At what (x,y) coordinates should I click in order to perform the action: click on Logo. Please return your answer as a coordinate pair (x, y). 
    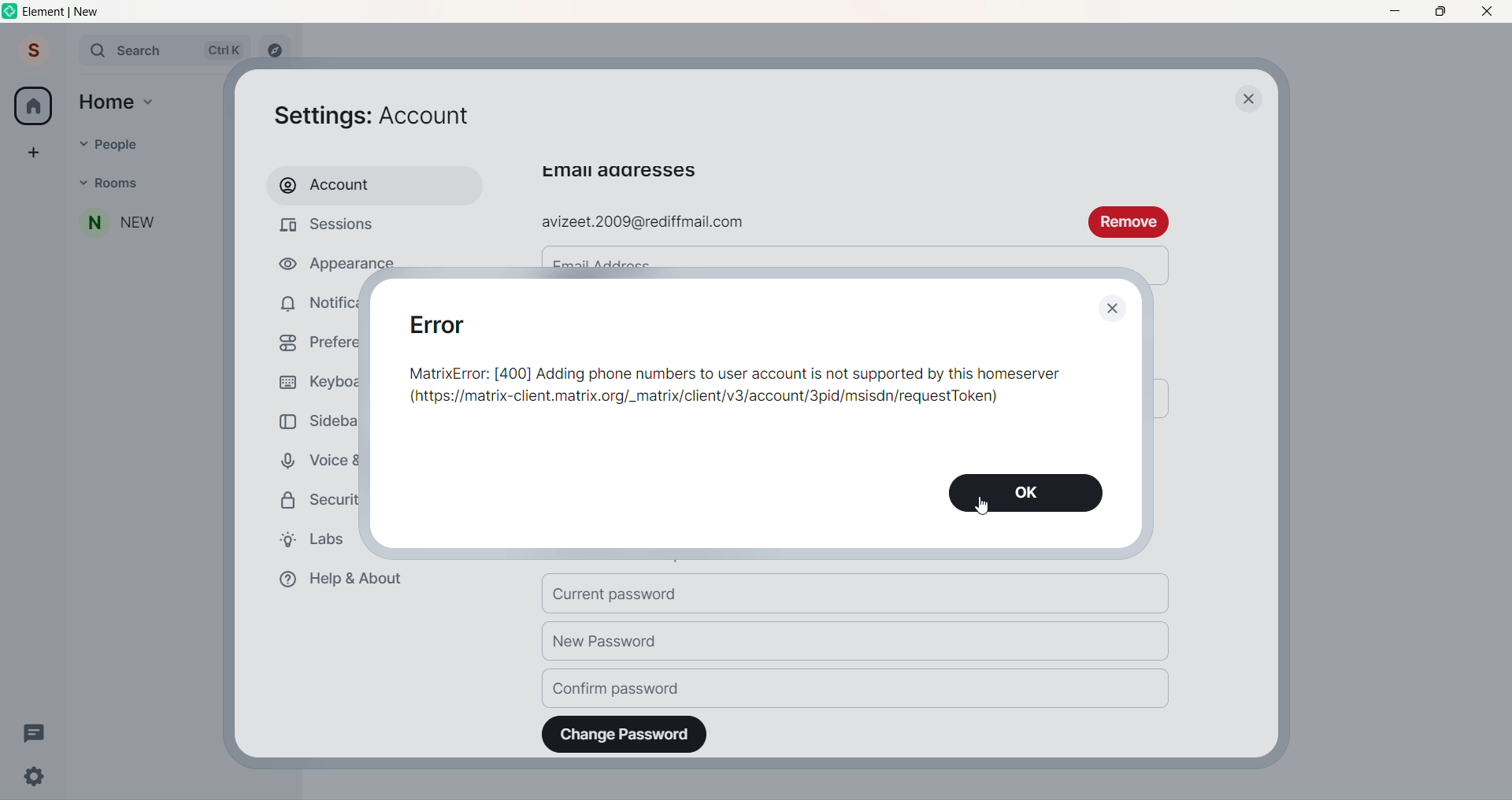
    Looking at the image, I should click on (9, 13).